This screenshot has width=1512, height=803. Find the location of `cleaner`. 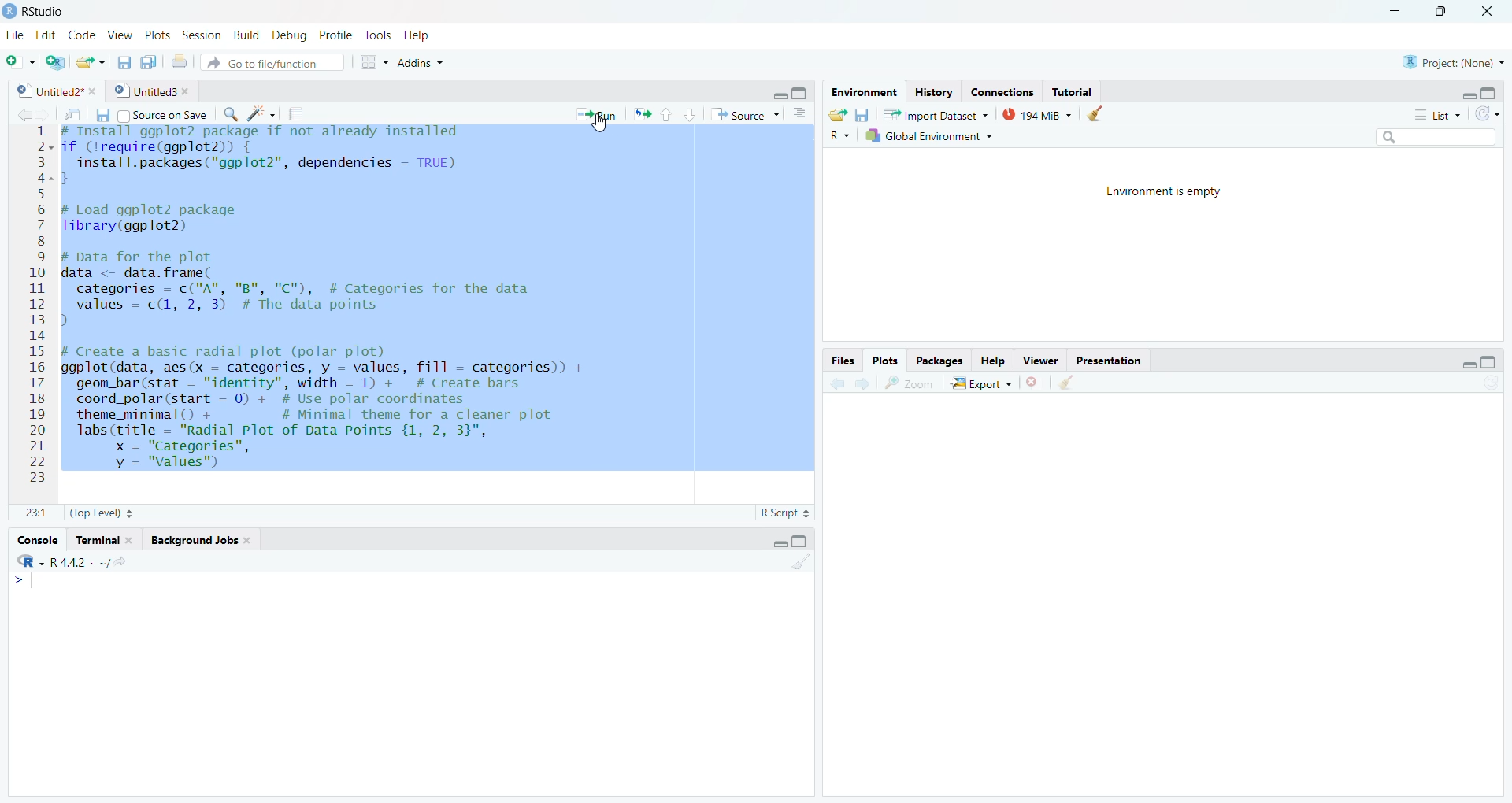

cleaner is located at coordinates (1067, 383).